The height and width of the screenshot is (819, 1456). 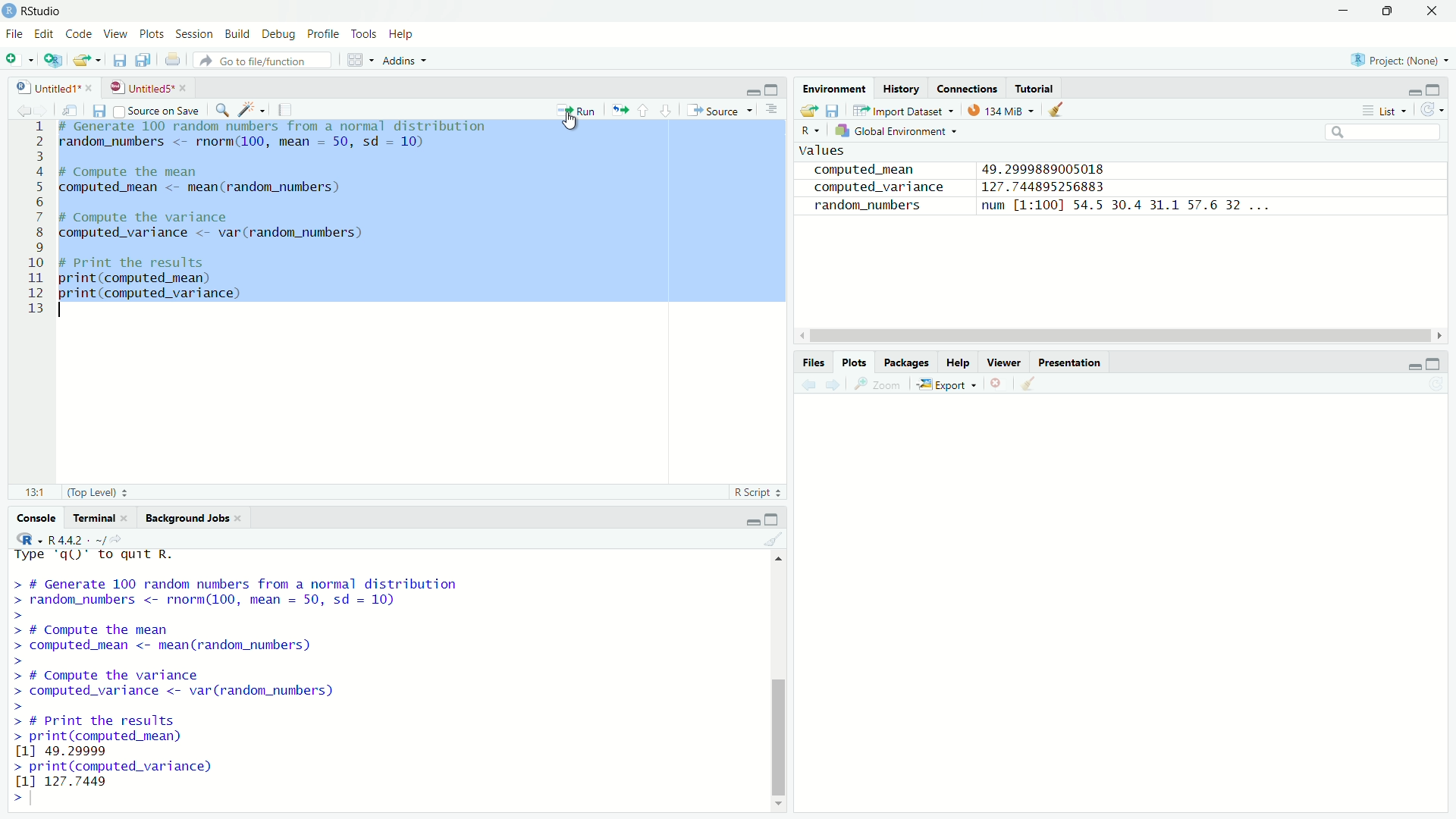 What do you see at coordinates (1344, 10) in the screenshot?
I see `minimize` at bounding box center [1344, 10].